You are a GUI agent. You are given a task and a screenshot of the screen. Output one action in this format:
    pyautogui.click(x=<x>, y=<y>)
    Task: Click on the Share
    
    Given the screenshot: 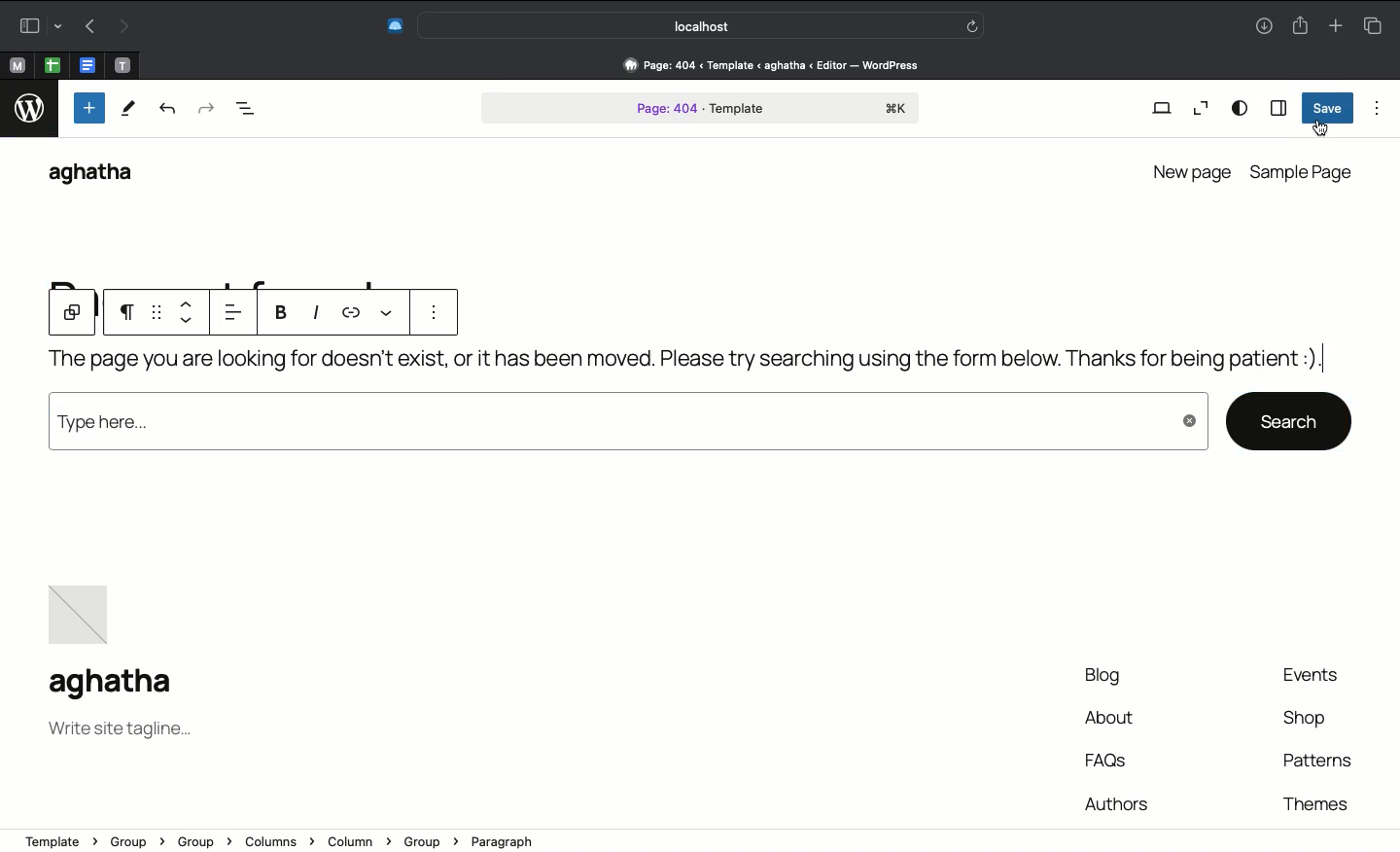 What is the action you would take?
    pyautogui.click(x=1299, y=23)
    